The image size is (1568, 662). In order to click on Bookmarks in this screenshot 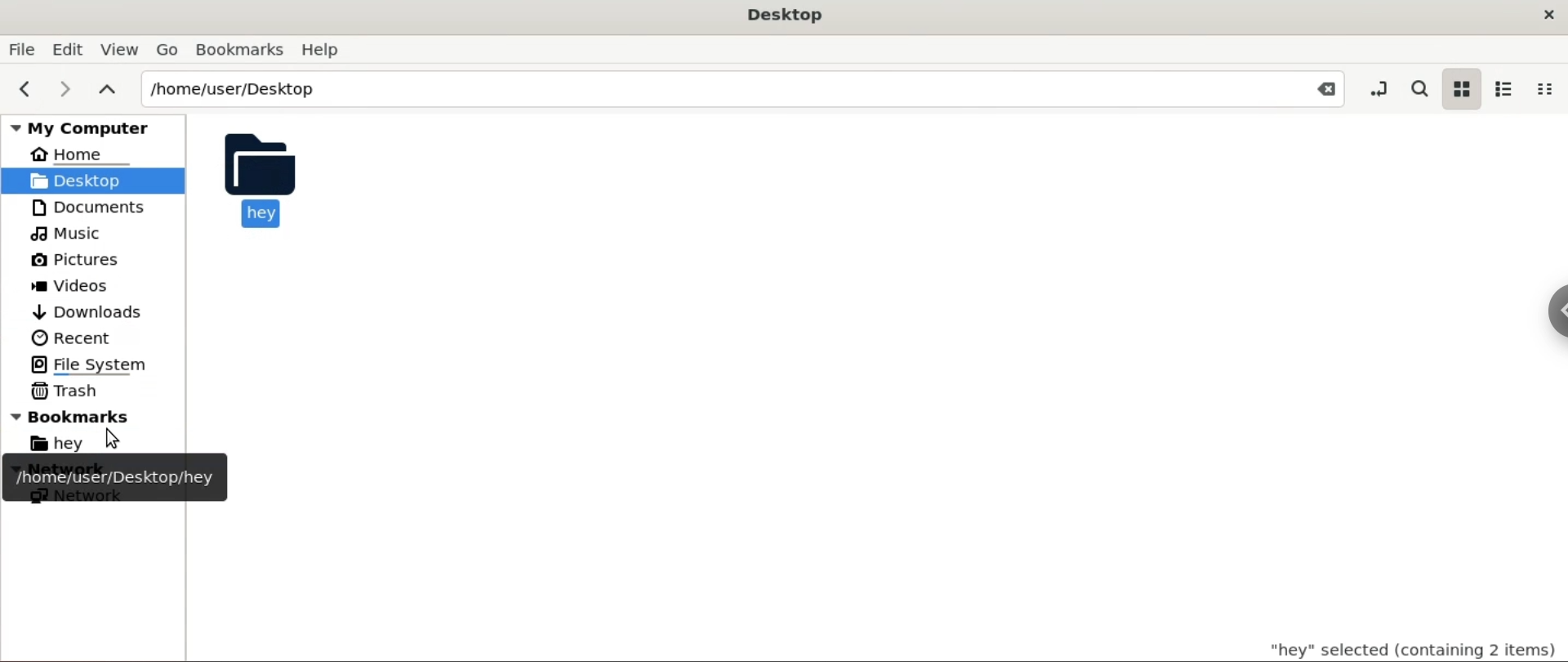, I will do `click(238, 48)`.